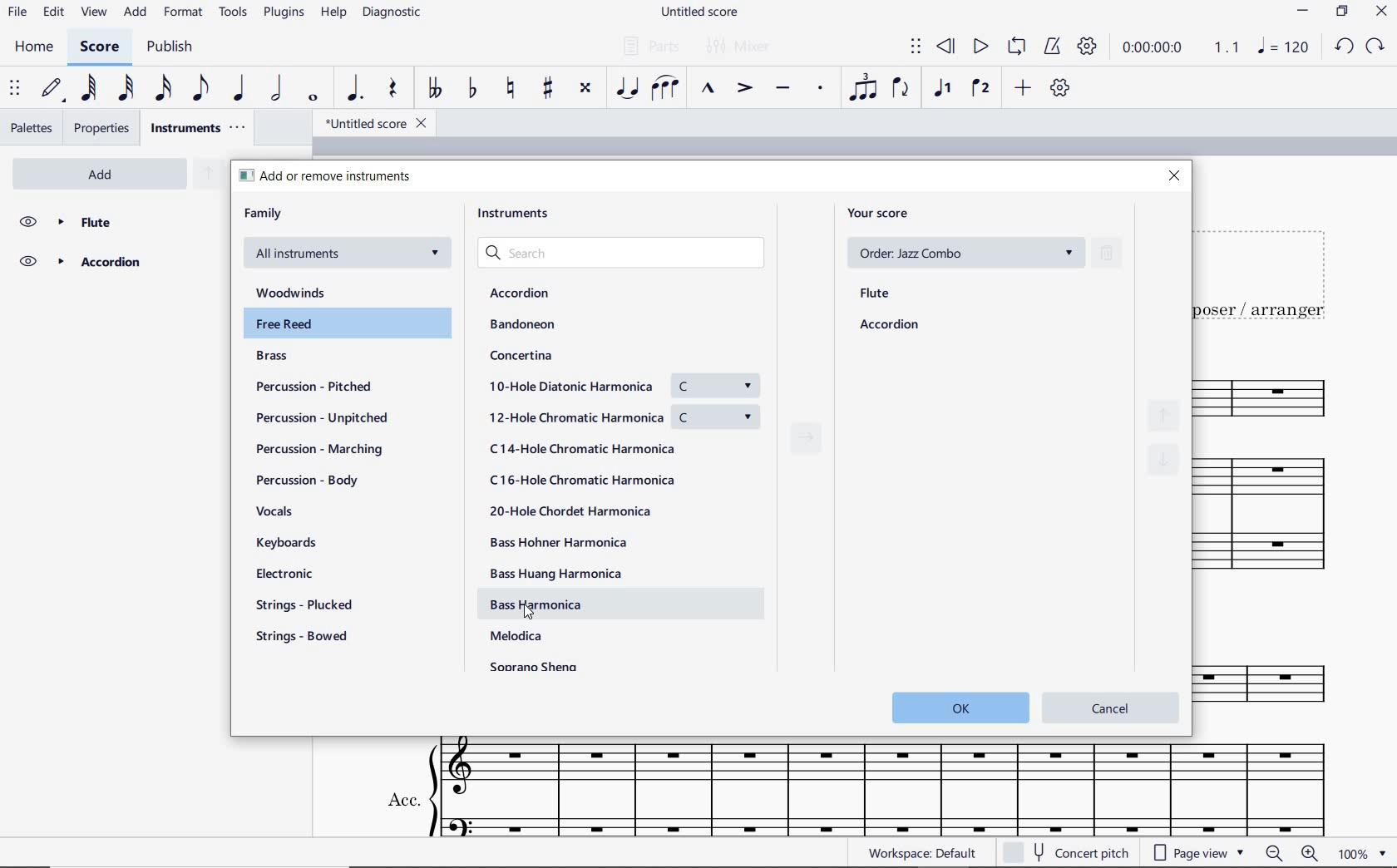 This screenshot has width=1397, height=868. Describe the element at coordinates (1083, 854) in the screenshot. I see `concert pitch` at that location.